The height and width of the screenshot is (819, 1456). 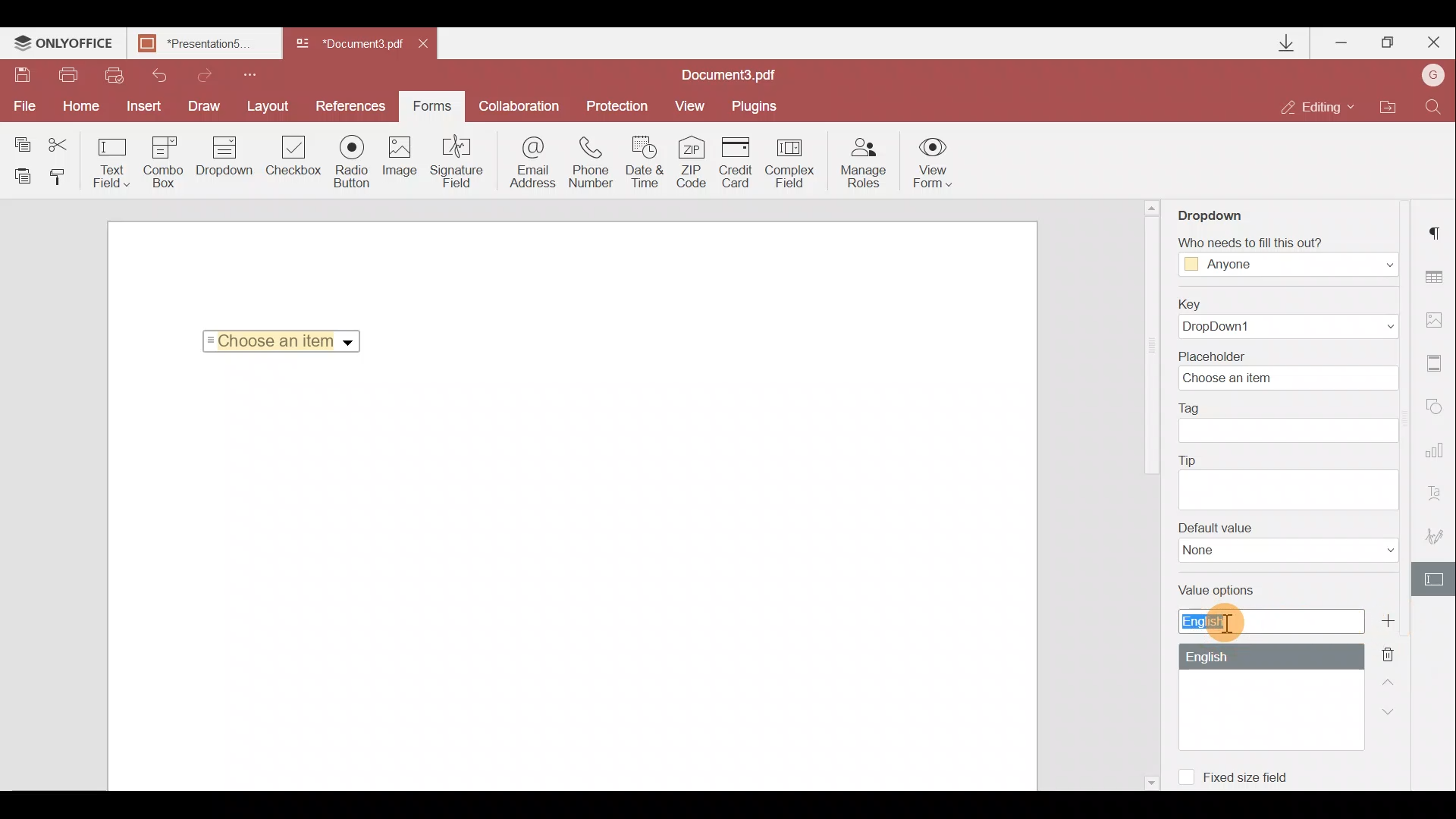 What do you see at coordinates (112, 74) in the screenshot?
I see `Quick print` at bounding box center [112, 74].